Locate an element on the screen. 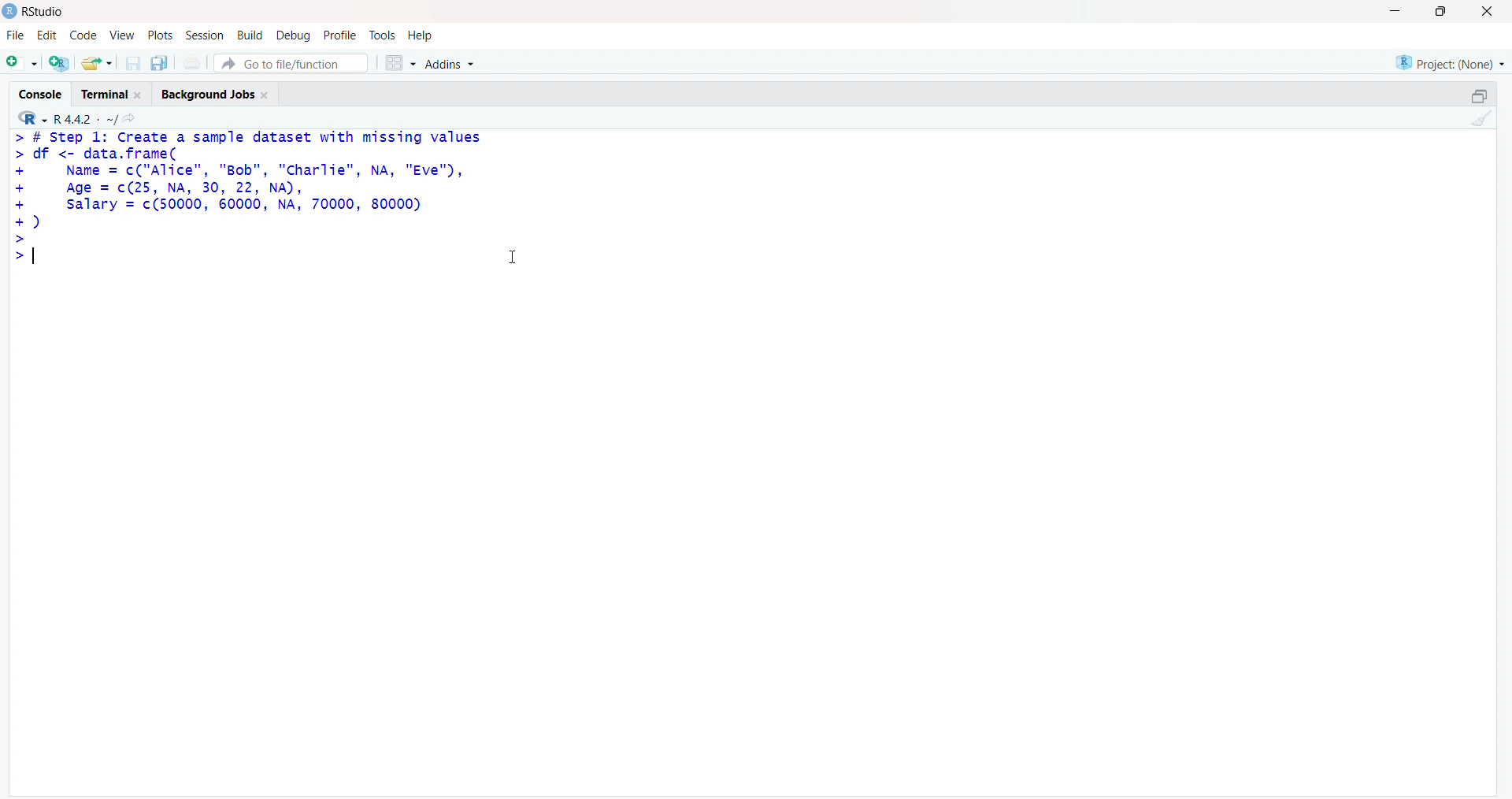  Help is located at coordinates (422, 35).